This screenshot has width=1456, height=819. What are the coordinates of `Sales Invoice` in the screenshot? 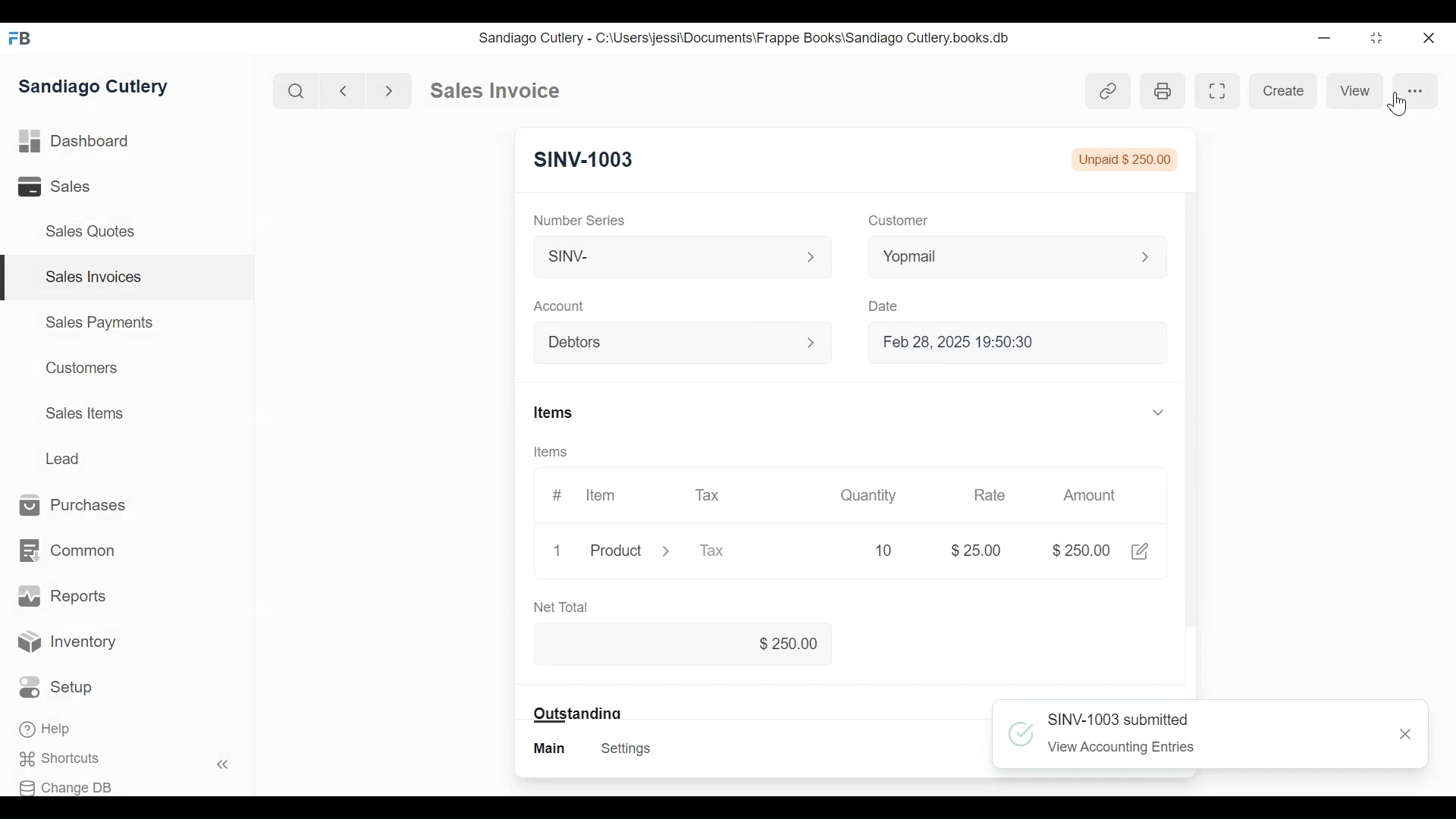 It's located at (494, 91).